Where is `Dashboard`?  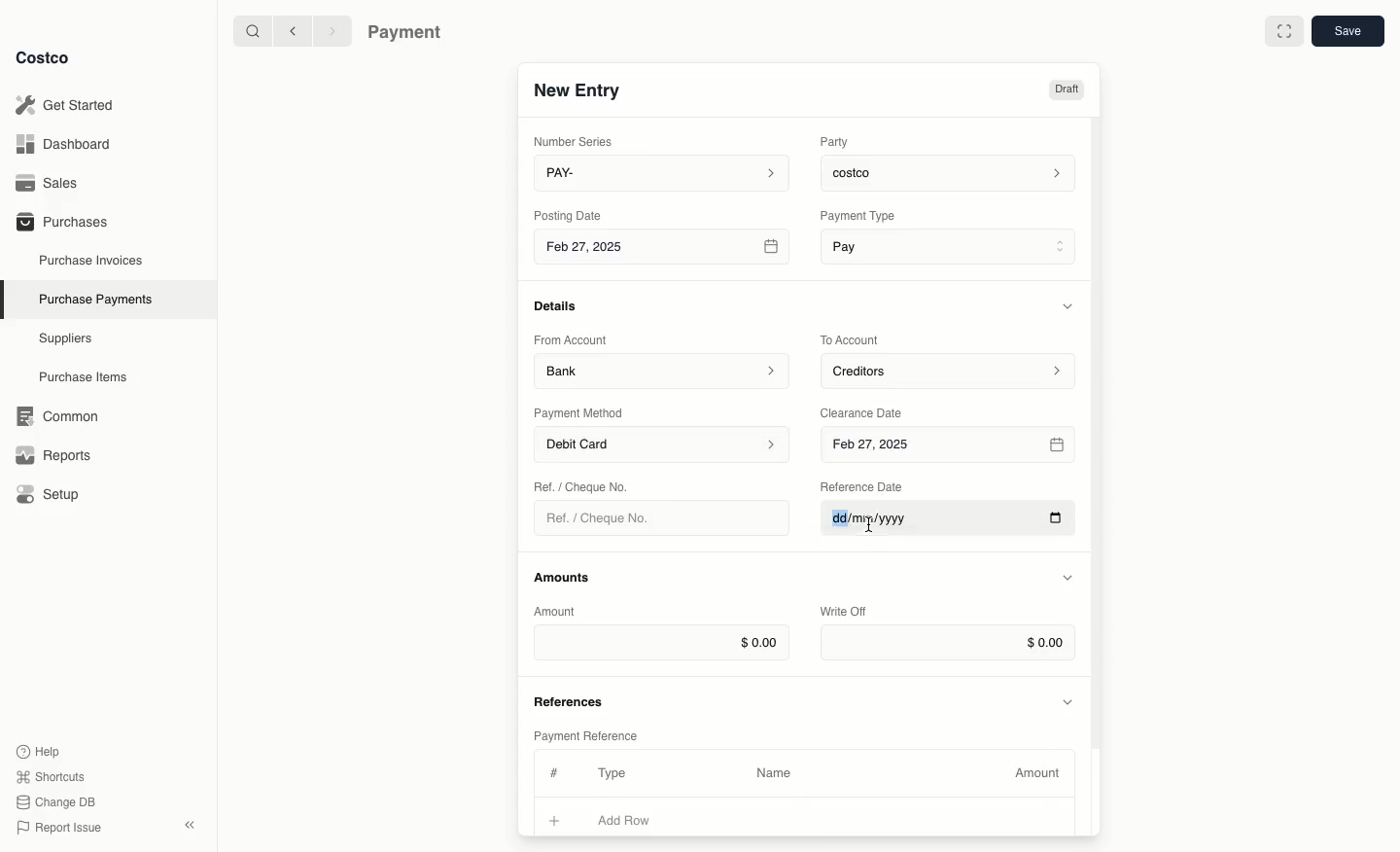 Dashboard is located at coordinates (69, 143).